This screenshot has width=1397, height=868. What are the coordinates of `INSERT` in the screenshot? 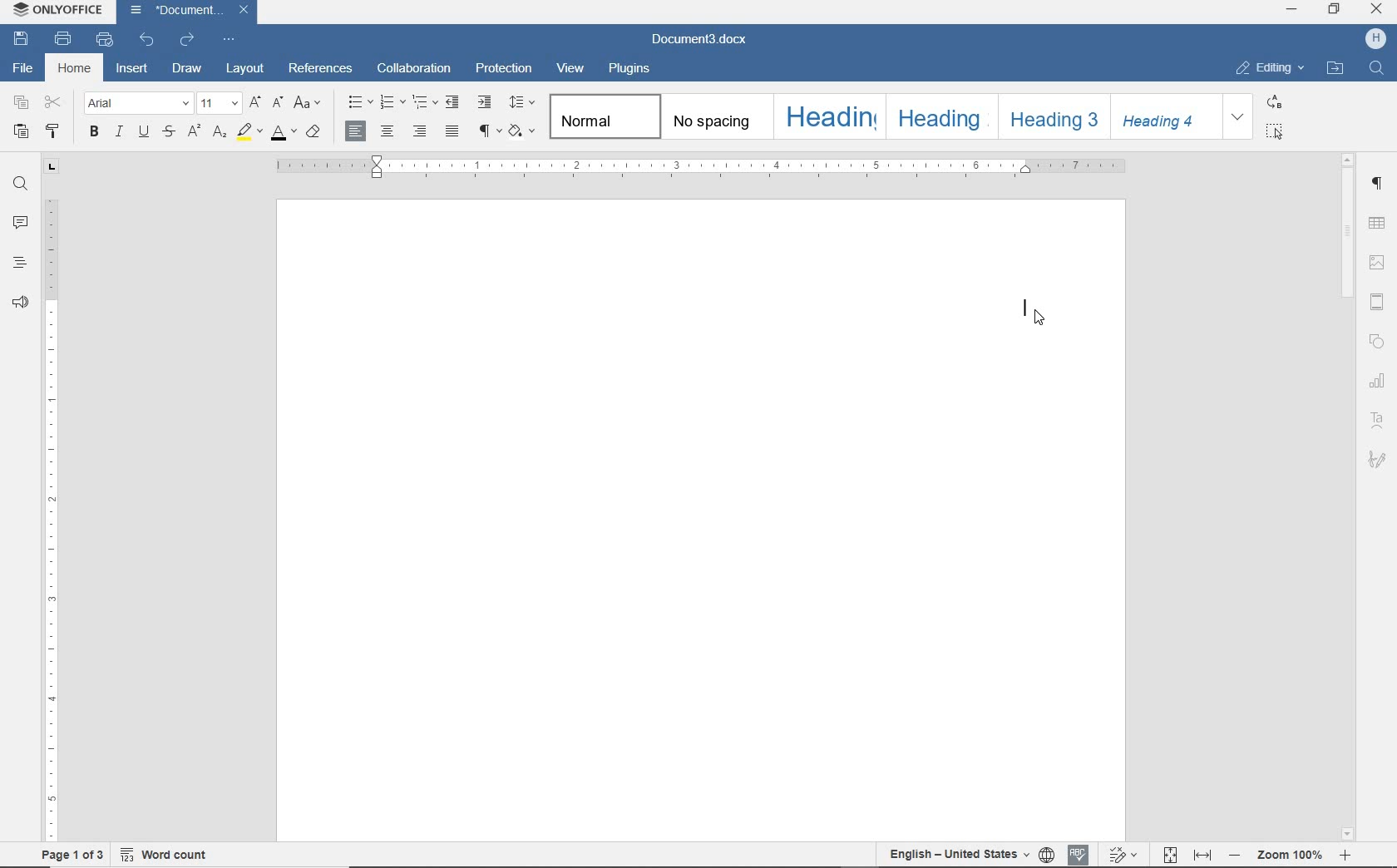 It's located at (133, 71).